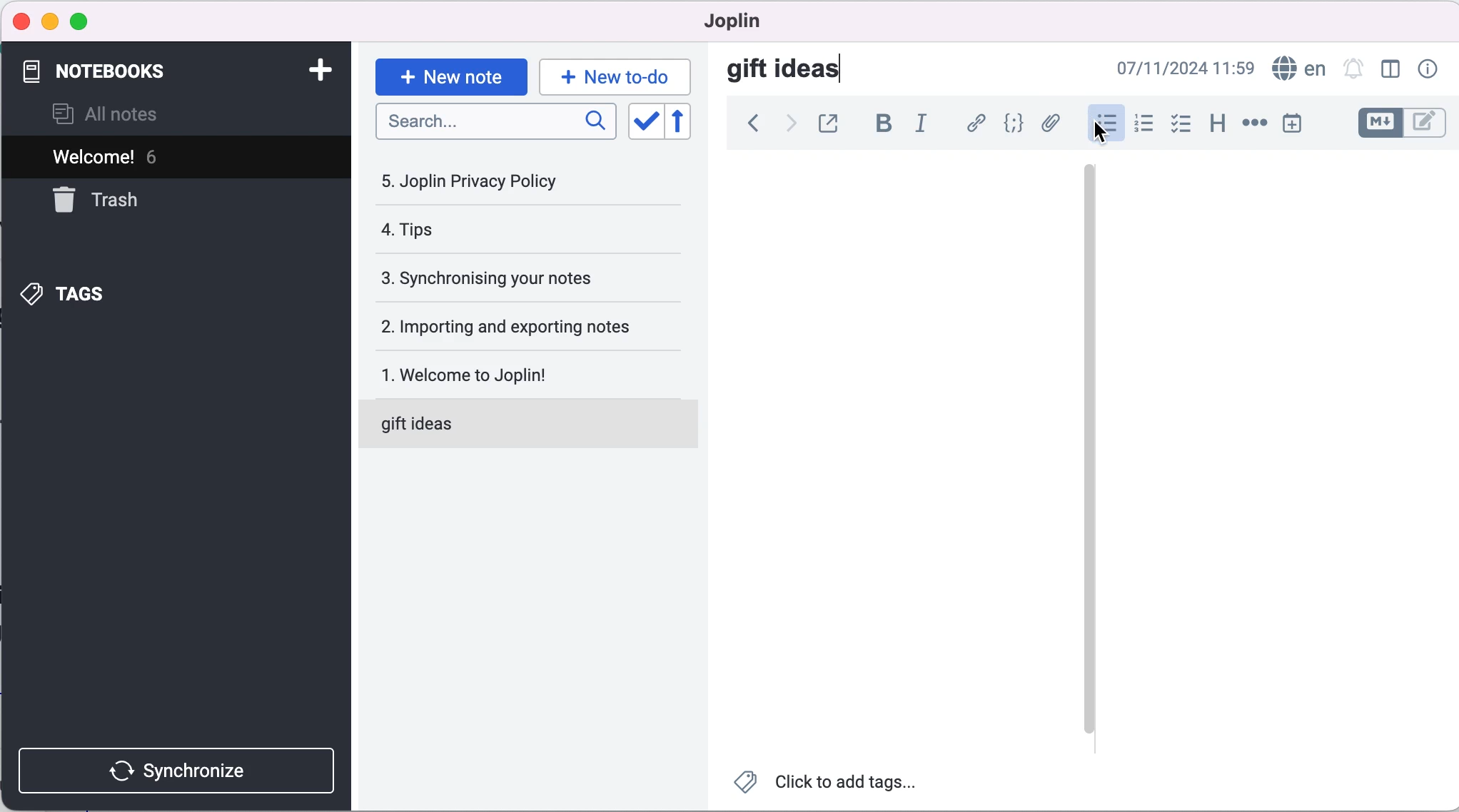 This screenshot has height=812, width=1459. I want to click on vertical slider, so click(1089, 213).